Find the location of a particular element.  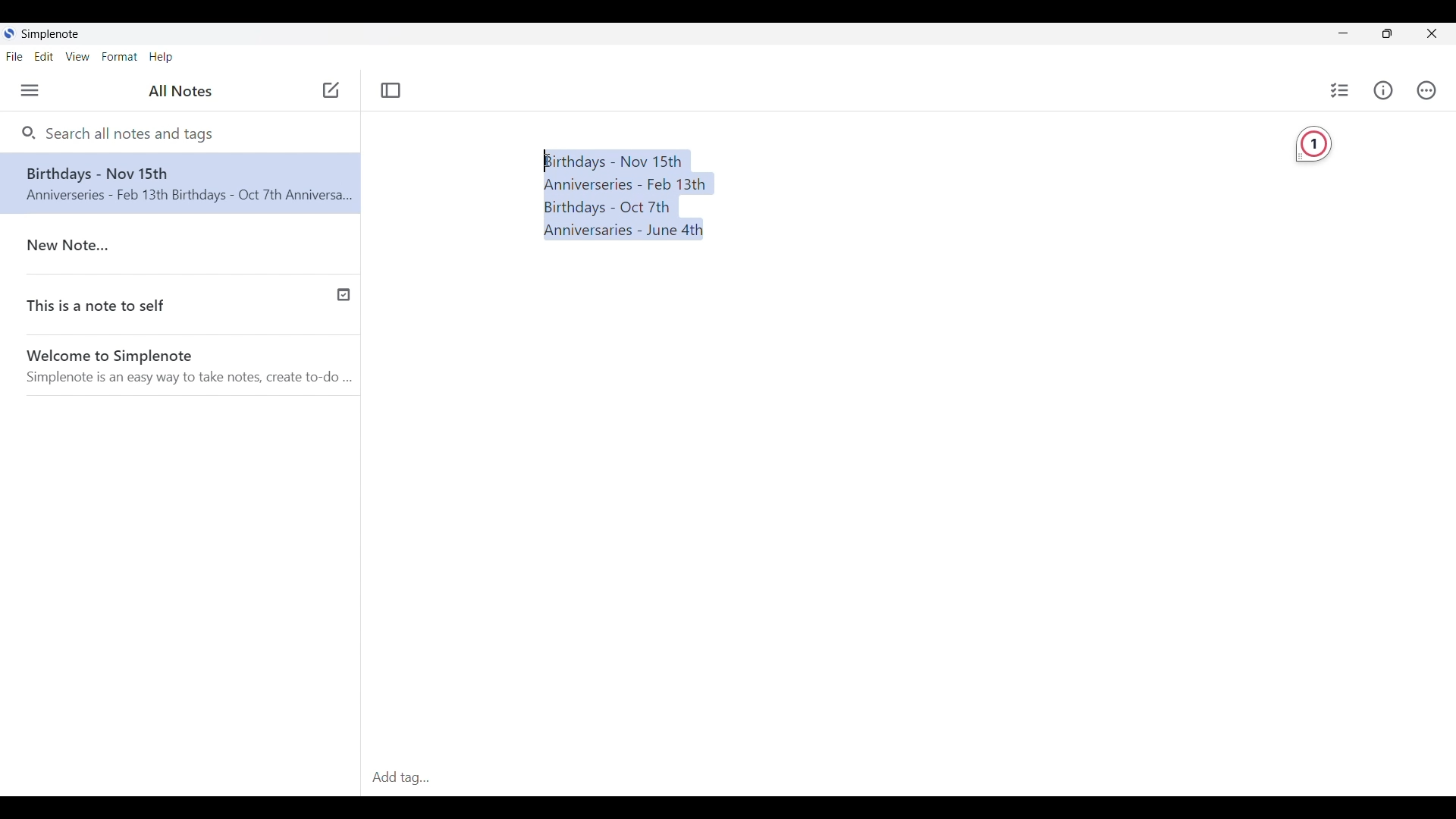

New Note..(Older note) is located at coordinates (184, 246).